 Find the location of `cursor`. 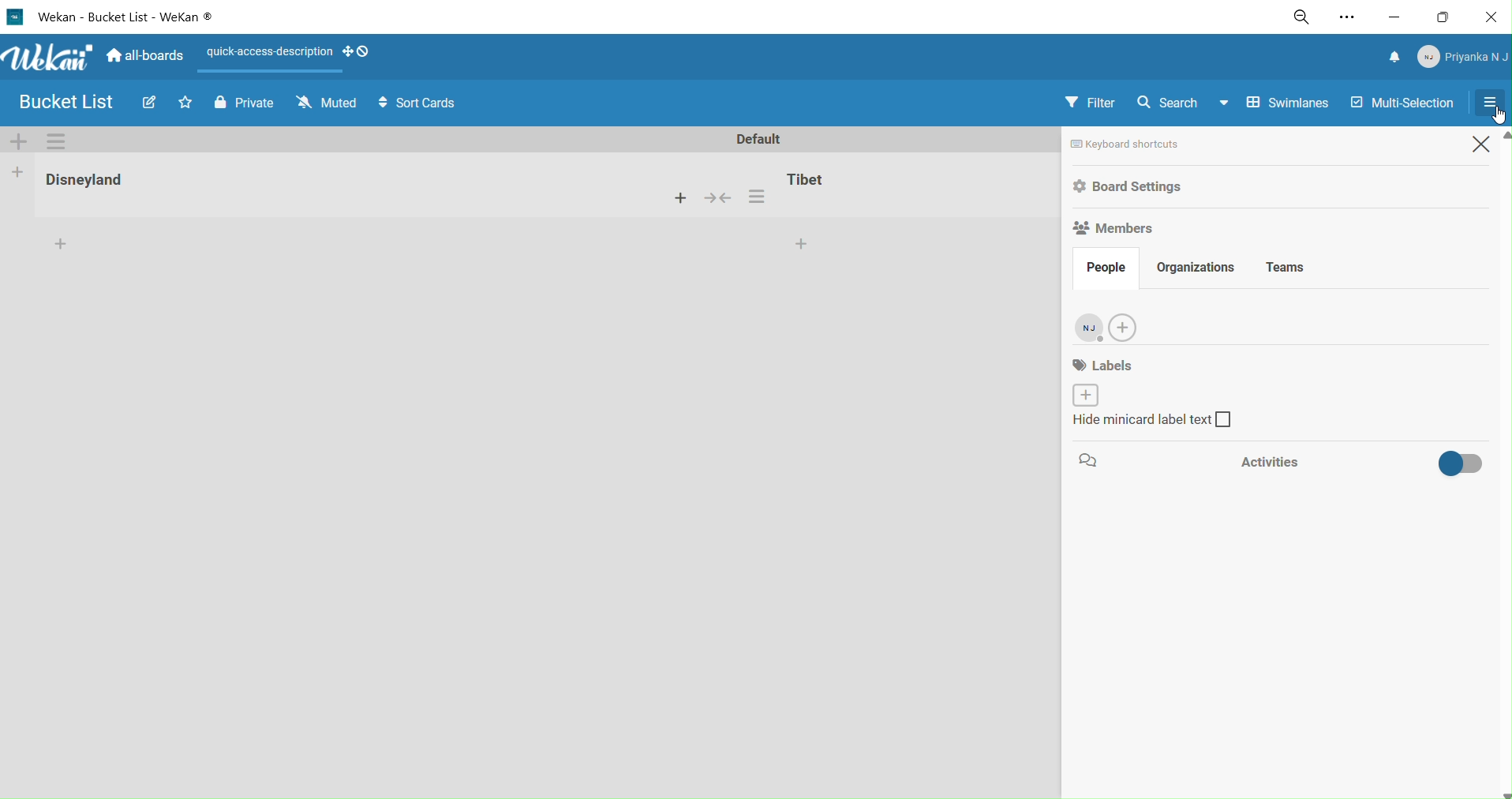

cursor is located at coordinates (1494, 121).